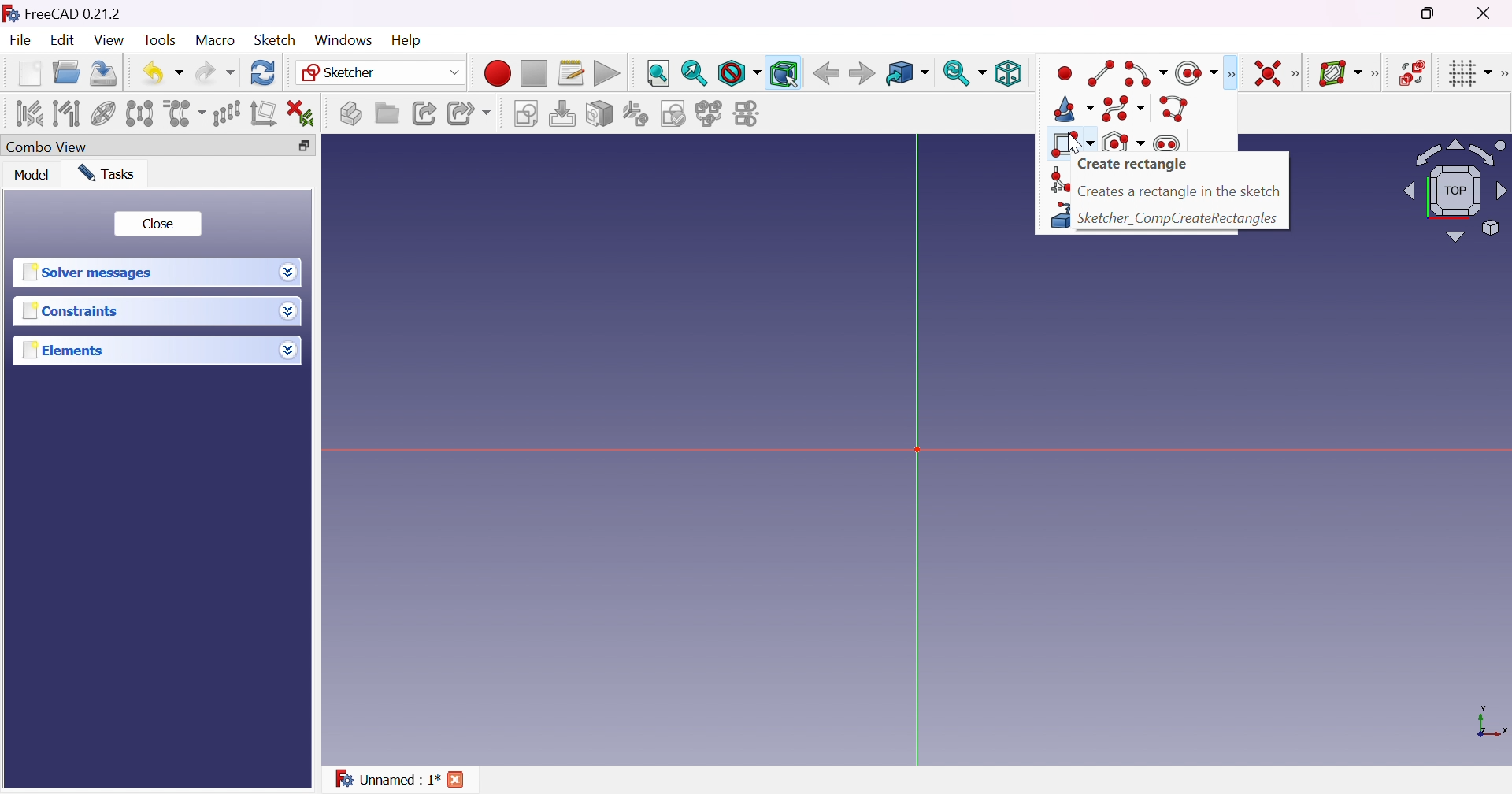 The height and width of the screenshot is (794, 1512). Describe the element at coordinates (350, 112) in the screenshot. I see `Create part` at that location.